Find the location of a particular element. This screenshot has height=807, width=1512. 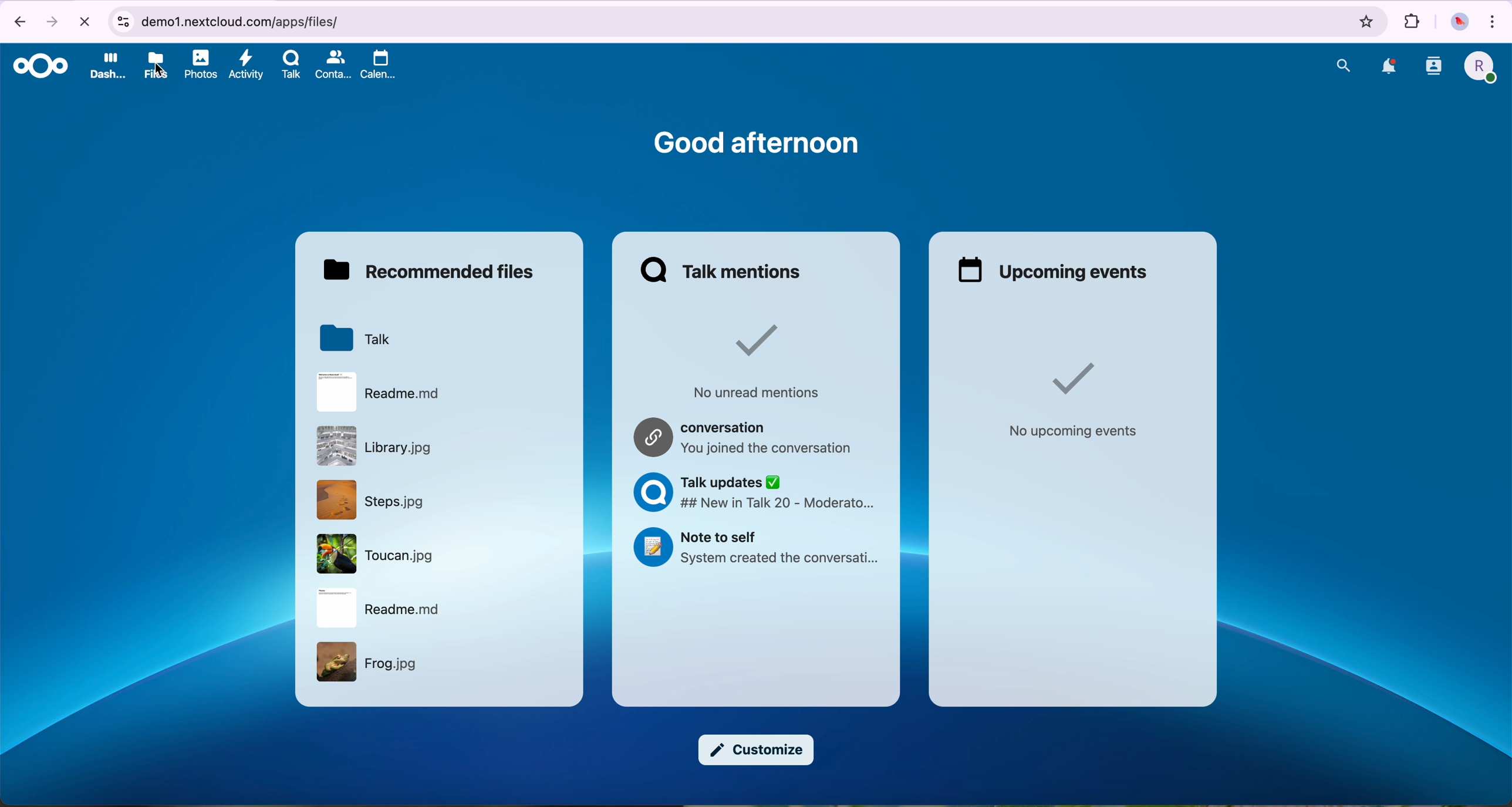

activity is located at coordinates (247, 69).